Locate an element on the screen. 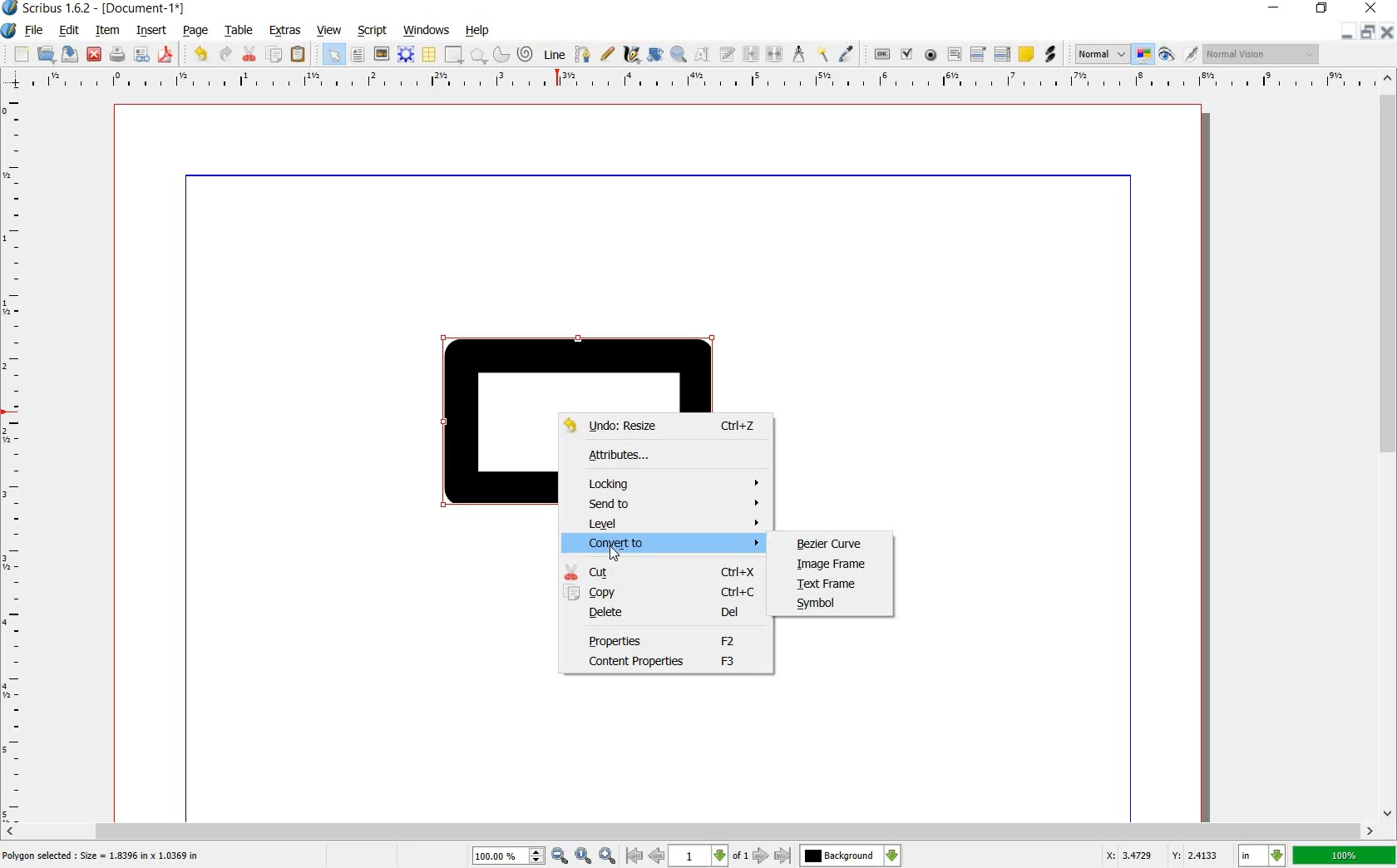  undo is located at coordinates (201, 53).